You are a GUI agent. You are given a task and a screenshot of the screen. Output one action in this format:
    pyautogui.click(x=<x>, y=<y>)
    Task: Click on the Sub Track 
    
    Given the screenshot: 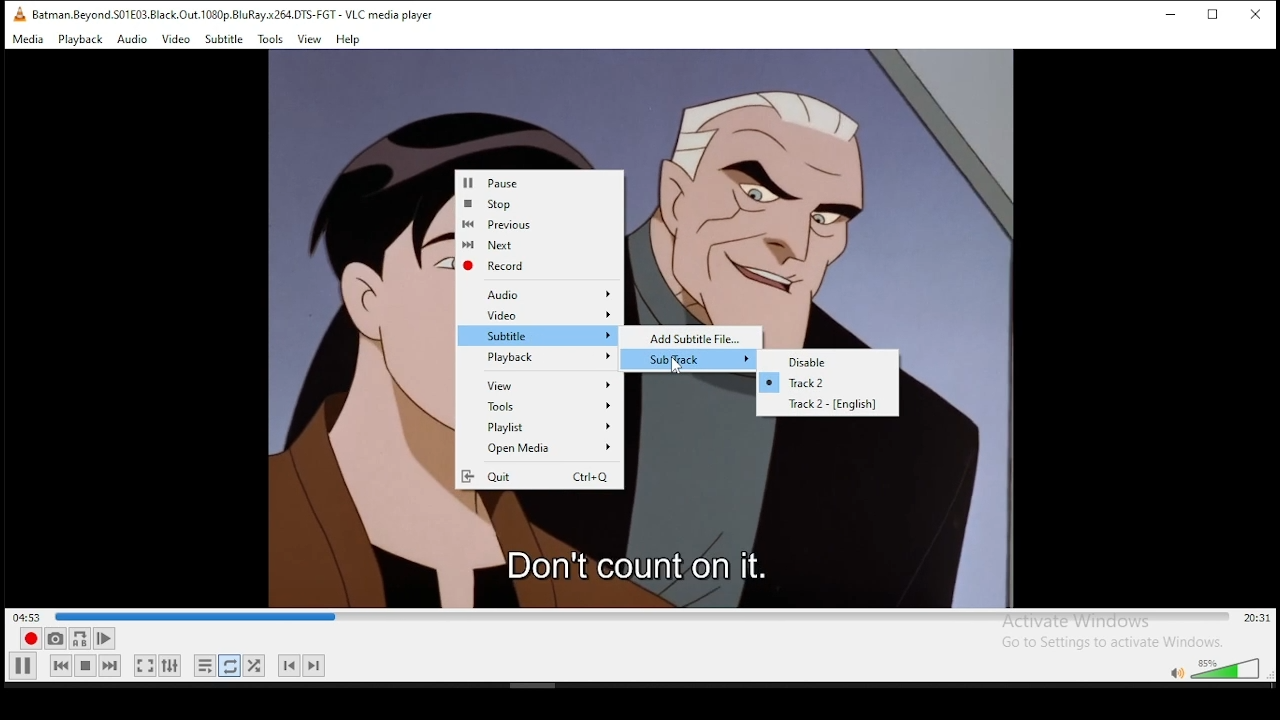 What is the action you would take?
    pyautogui.click(x=699, y=360)
    